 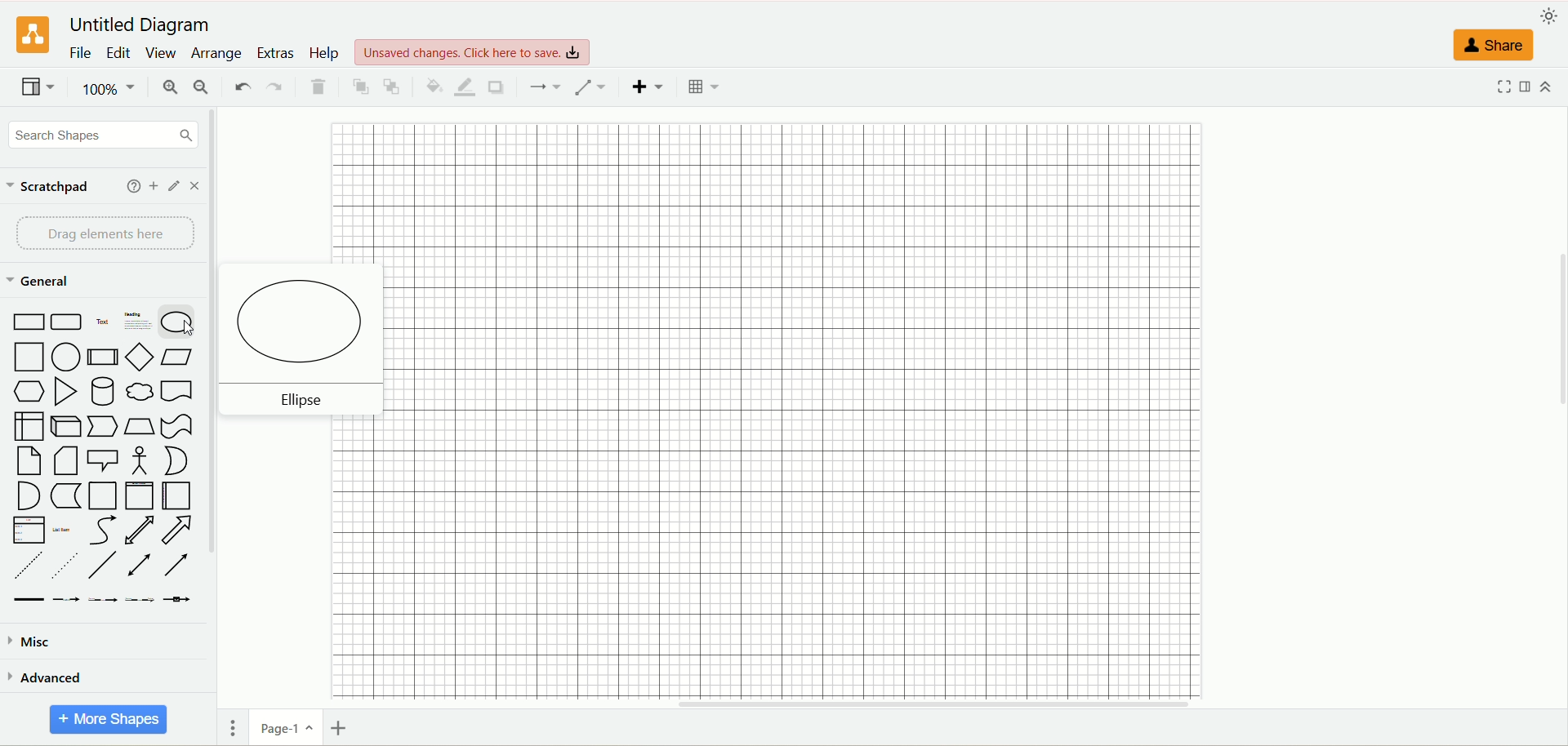 What do you see at coordinates (590, 87) in the screenshot?
I see `waypoints` at bounding box center [590, 87].